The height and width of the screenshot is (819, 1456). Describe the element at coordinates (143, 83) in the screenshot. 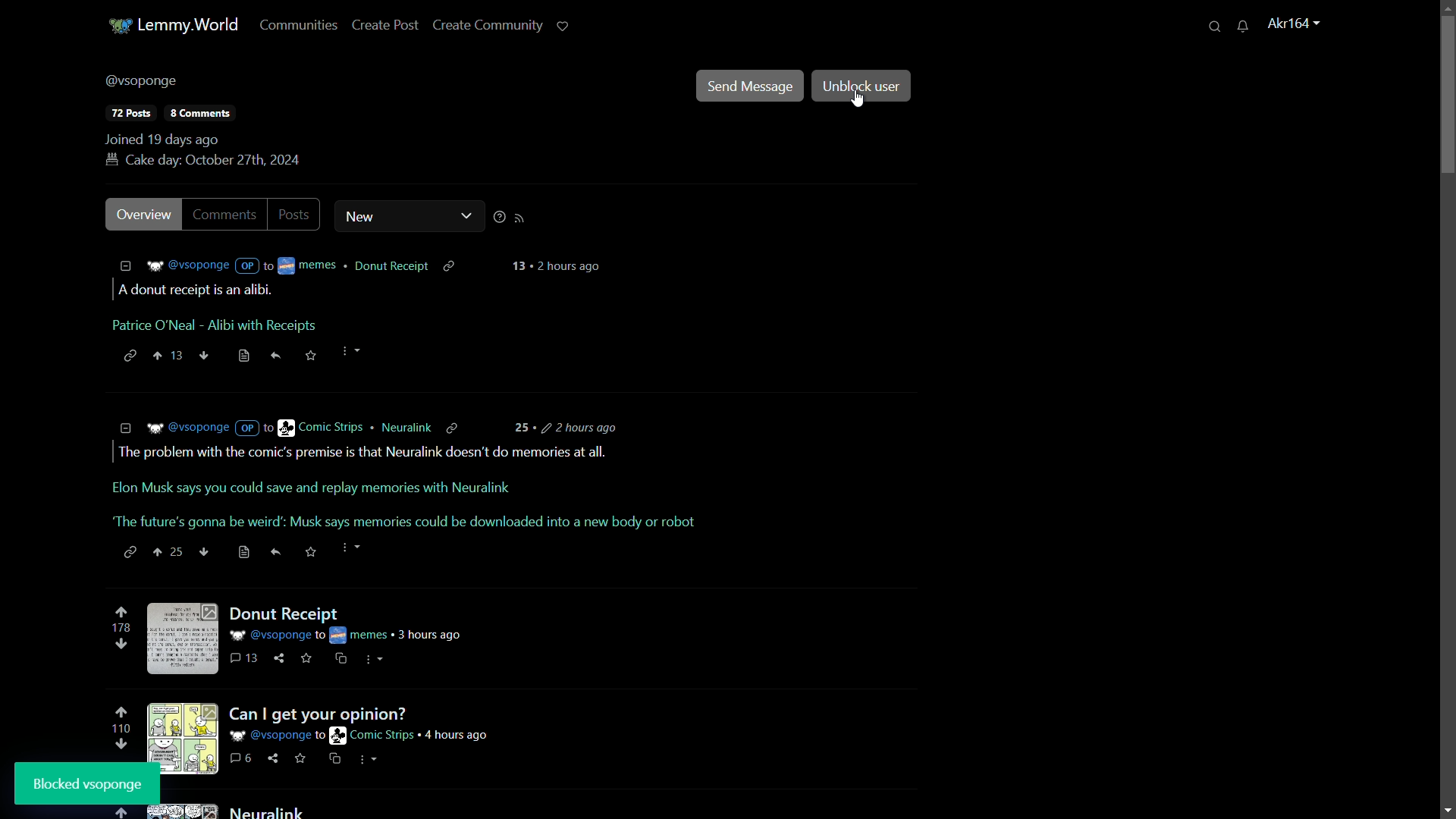

I see `username` at that location.